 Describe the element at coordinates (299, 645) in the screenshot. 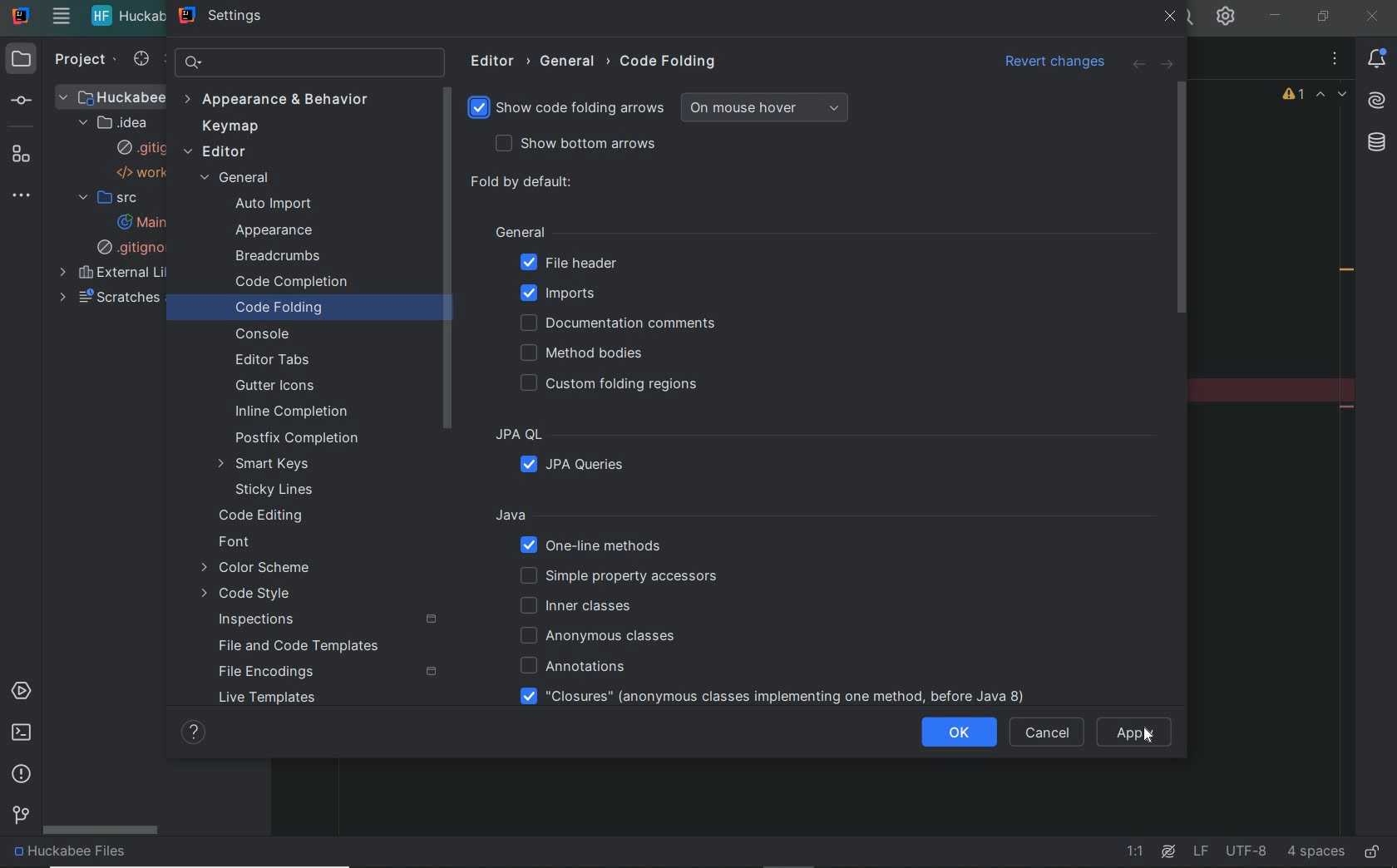

I see `file and code templates` at that location.